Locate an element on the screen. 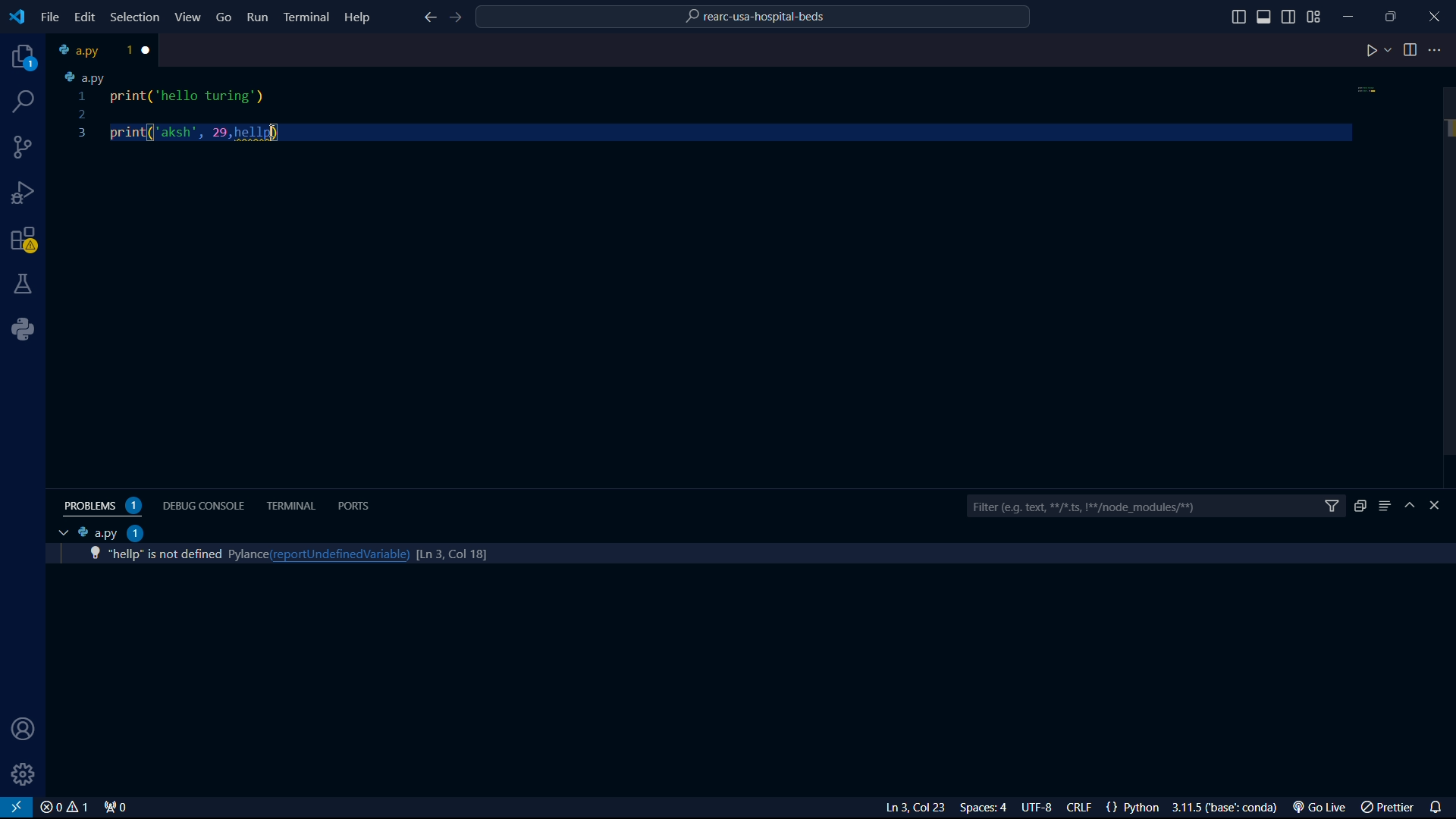  edit is located at coordinates (83, 17).